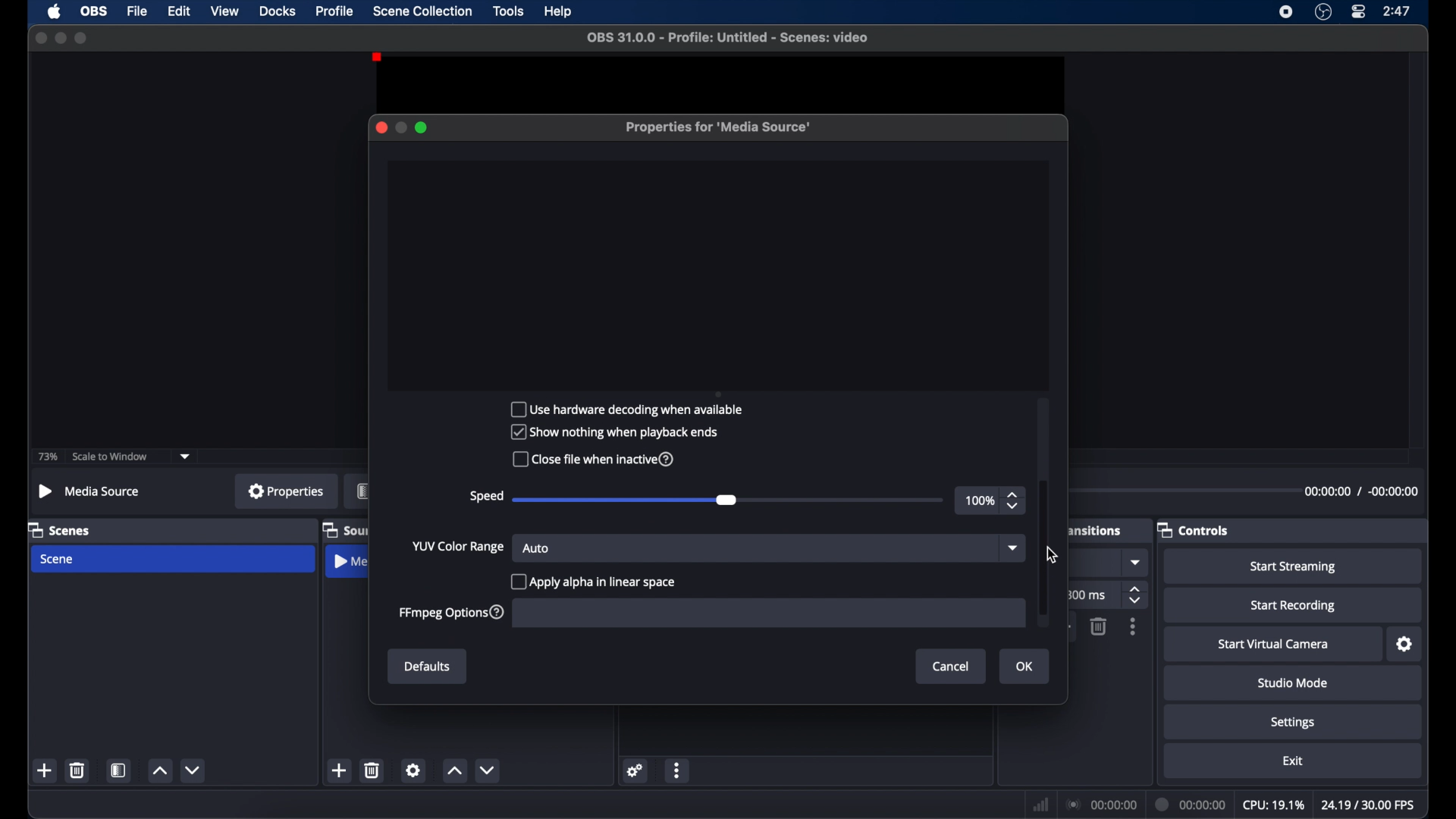 The image size is (1456, 819). What do you see at coordinates (49, 457) in the screenshot?
I see `73%` at bounding box center [49, 457].